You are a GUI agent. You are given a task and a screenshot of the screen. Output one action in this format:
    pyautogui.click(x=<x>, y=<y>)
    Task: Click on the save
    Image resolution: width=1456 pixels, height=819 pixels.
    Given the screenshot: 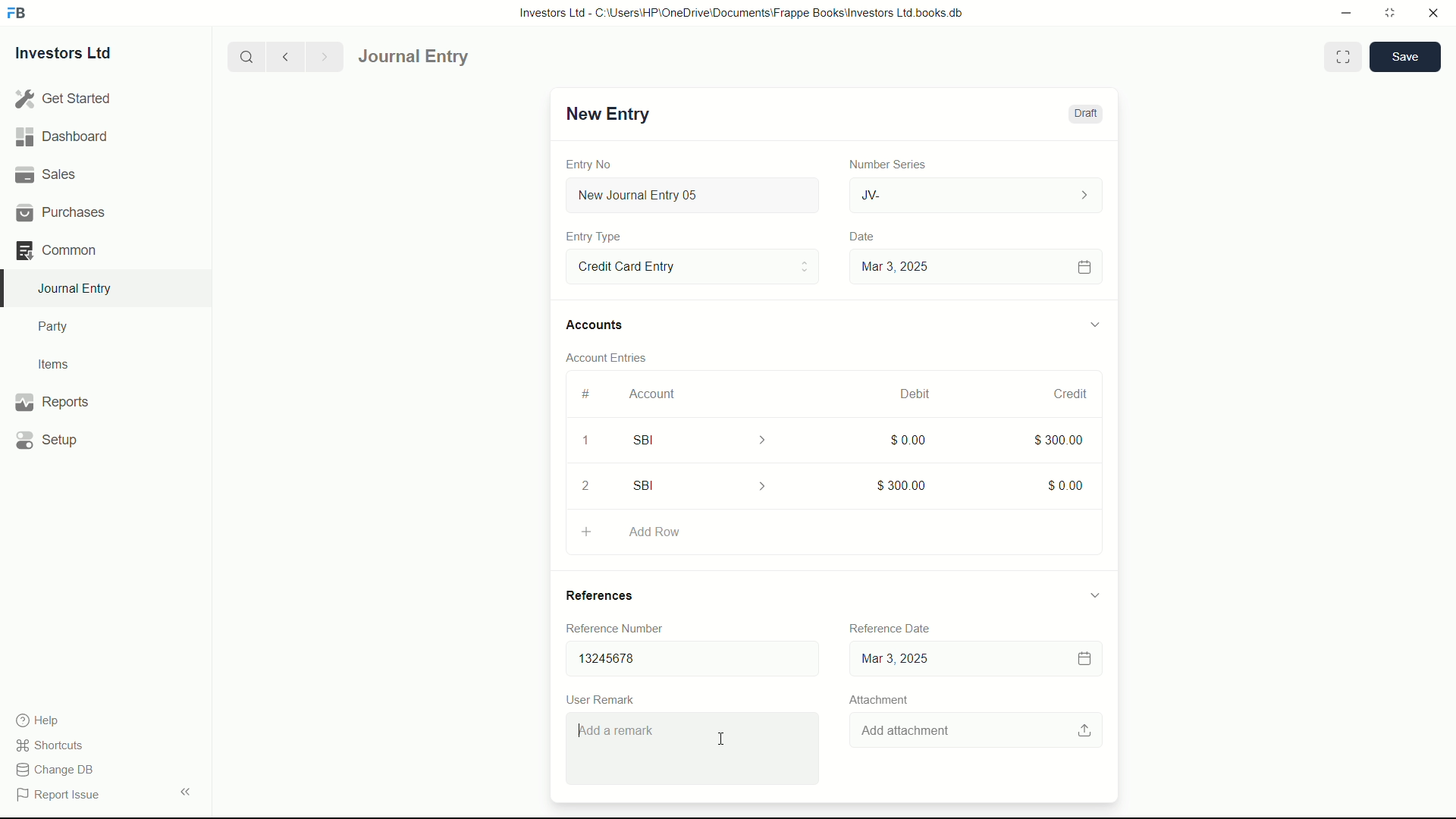 What is the action you would take?
    pyautogui.click(x=1406, y=57)
    